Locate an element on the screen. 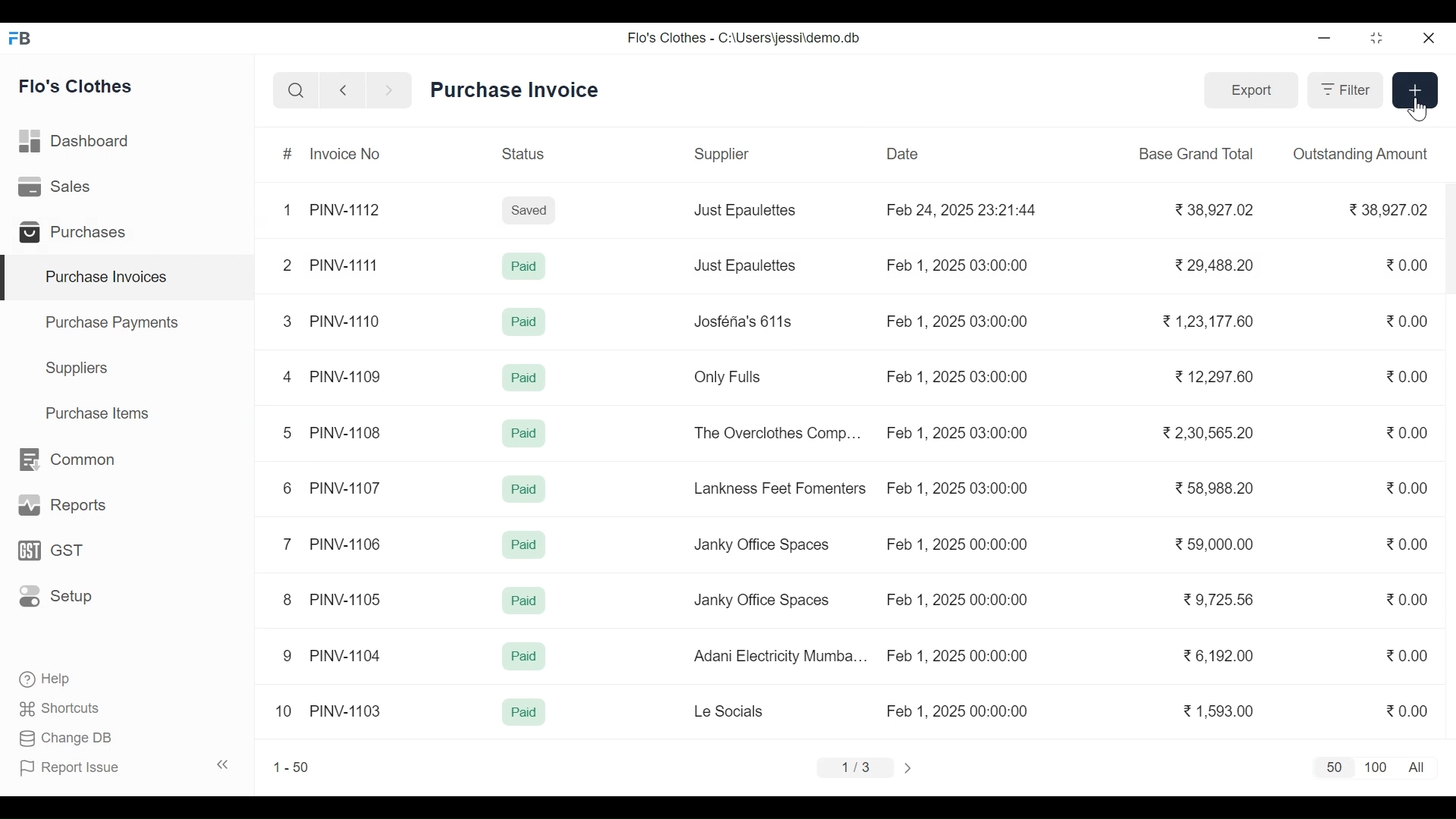 The width and height of the screenshot is (1456, 819). 0.00 is located at coordinates (1406, 711).